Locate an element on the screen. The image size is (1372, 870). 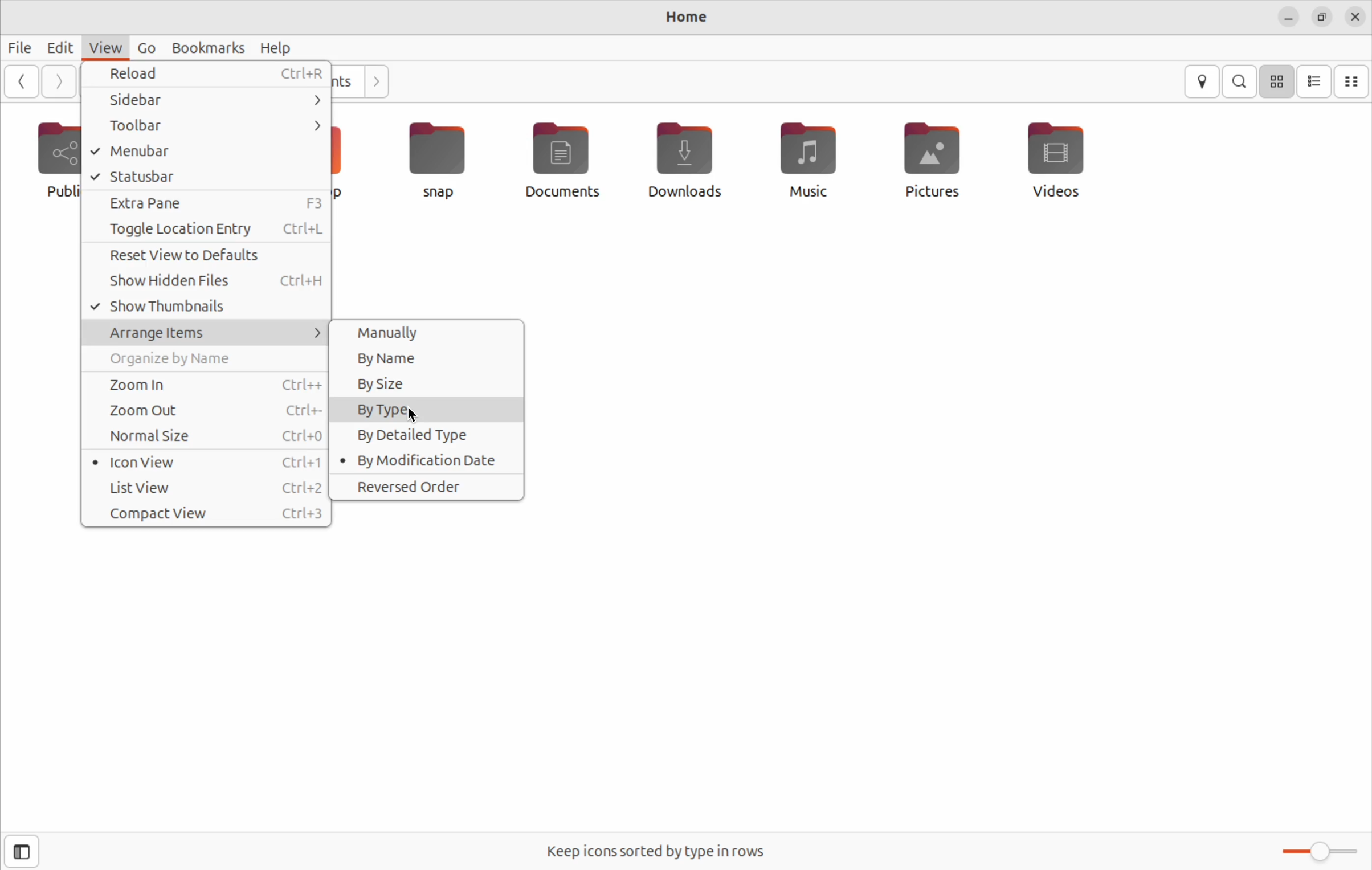
show hidden files is located at coordinates (206, 282).